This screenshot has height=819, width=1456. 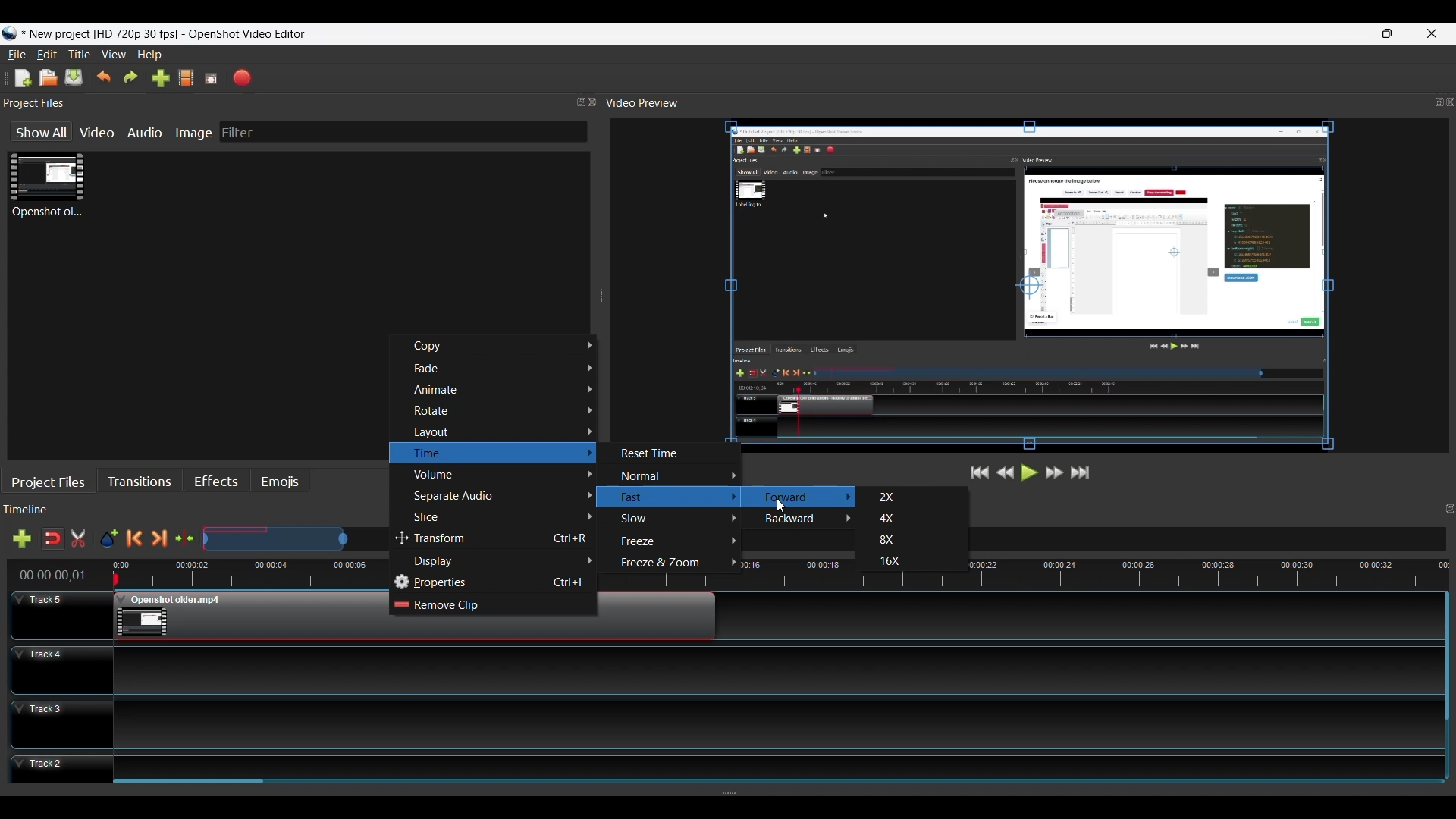 What do you see at coordinates (676, 476) in the screenshot?
I see `Normal` at bounding box center [676, 476].